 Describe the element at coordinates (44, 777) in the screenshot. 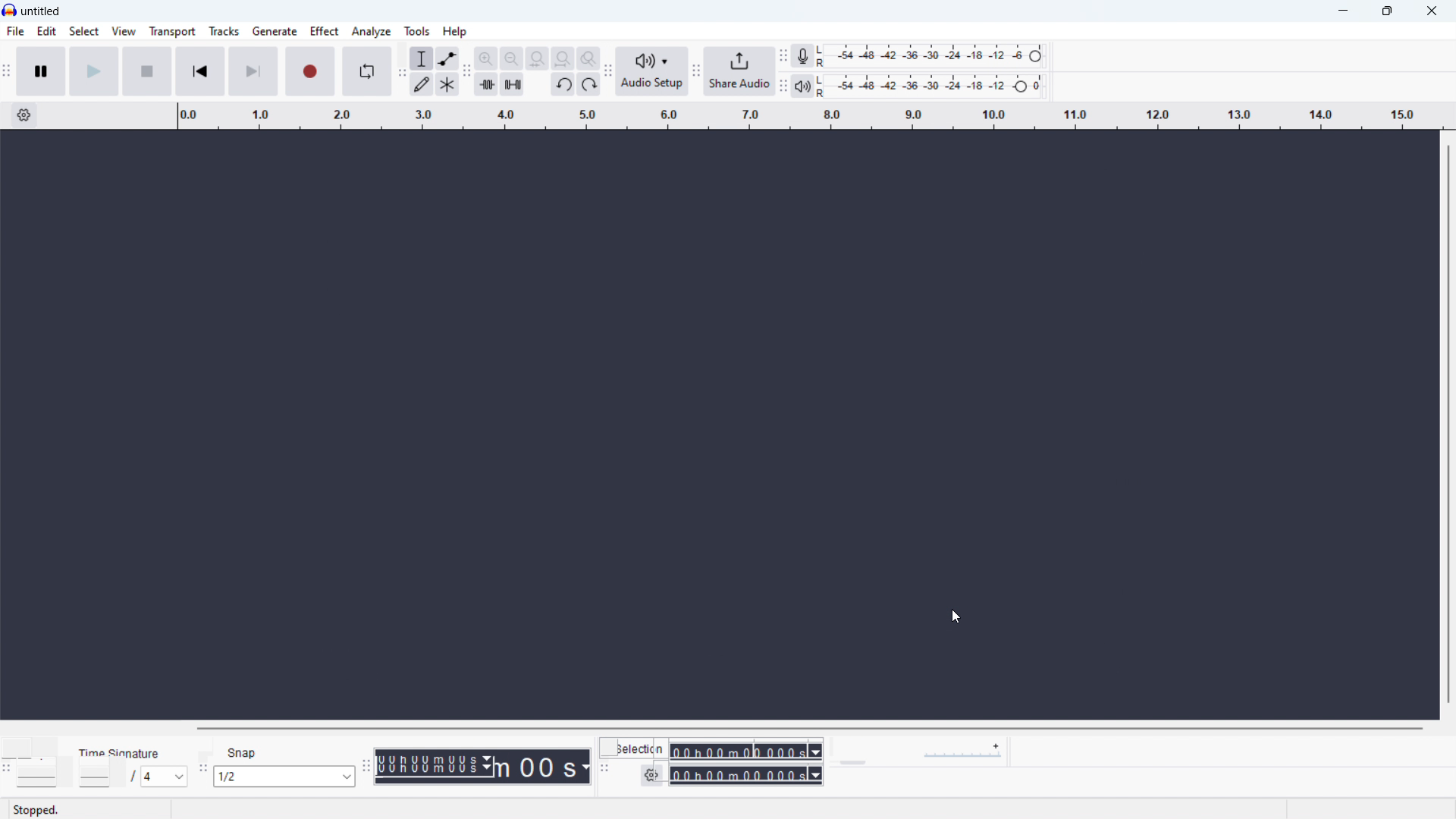

I see `set tempo` at that location.